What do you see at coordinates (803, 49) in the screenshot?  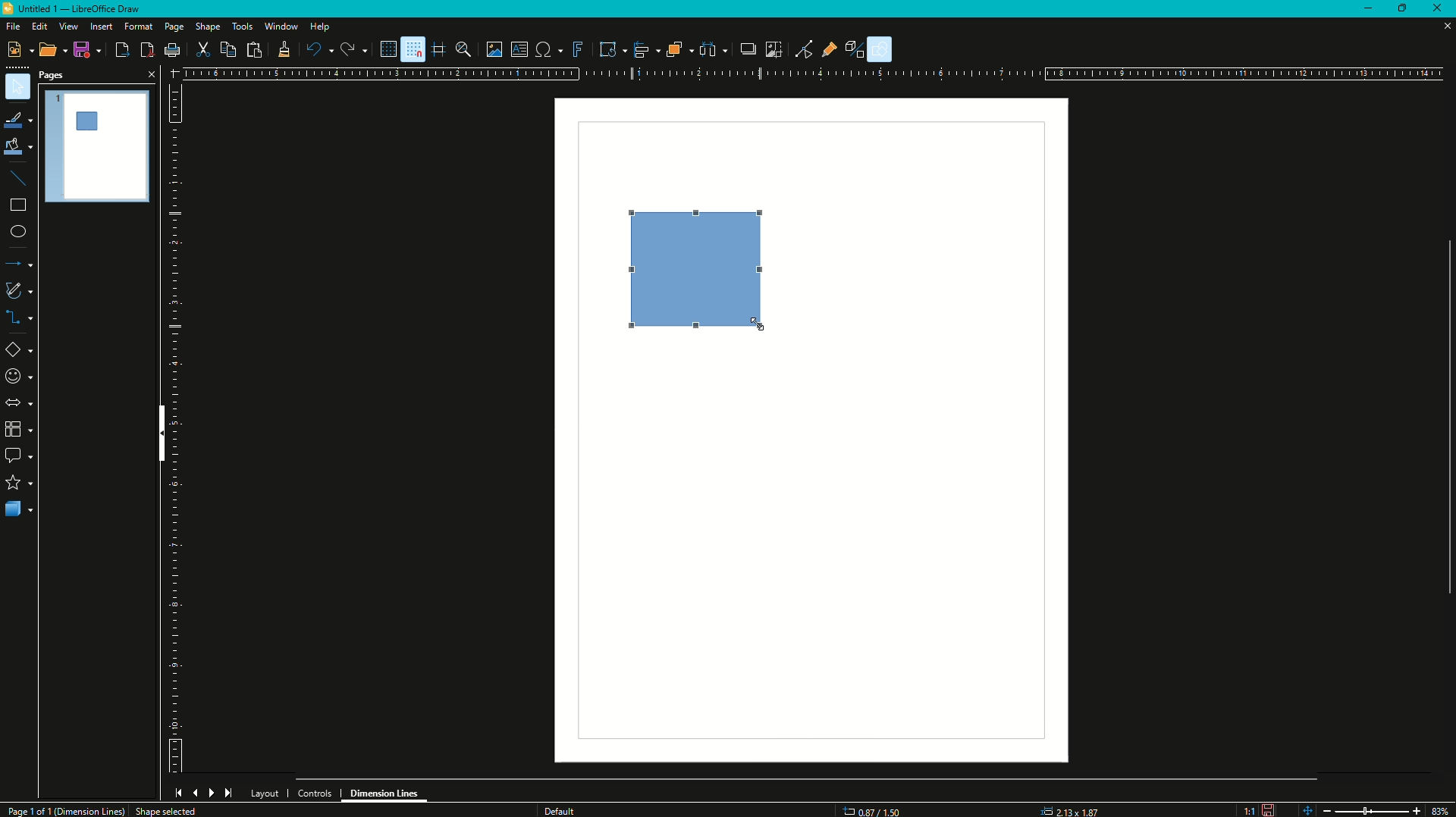 I see `Toggle Point Edit Mode` at bounding box center [803, 49].